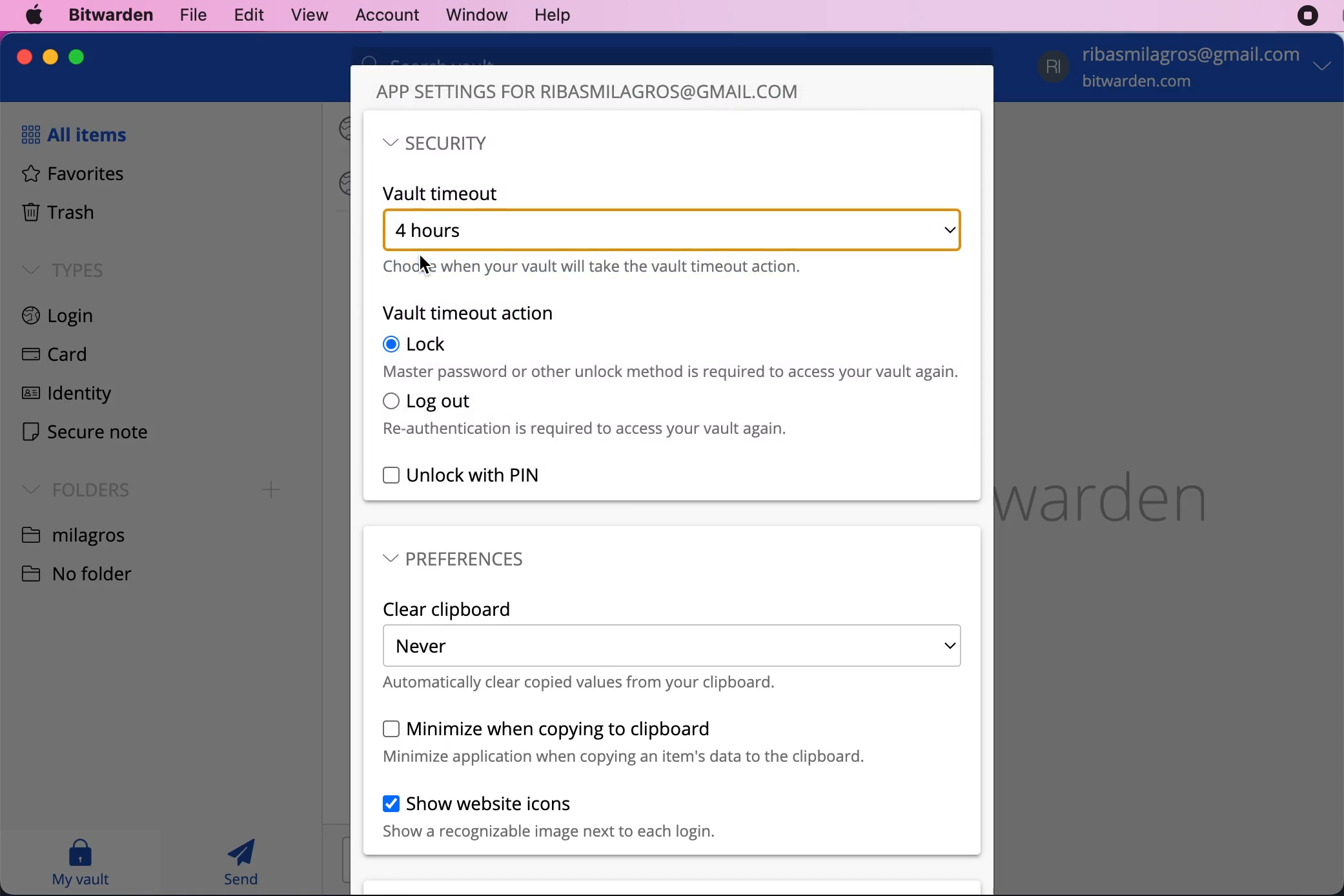  What do you see at coordinates (108, 16) in the screenshot?
I see `bitwarden` at bounding box center [108, 16].